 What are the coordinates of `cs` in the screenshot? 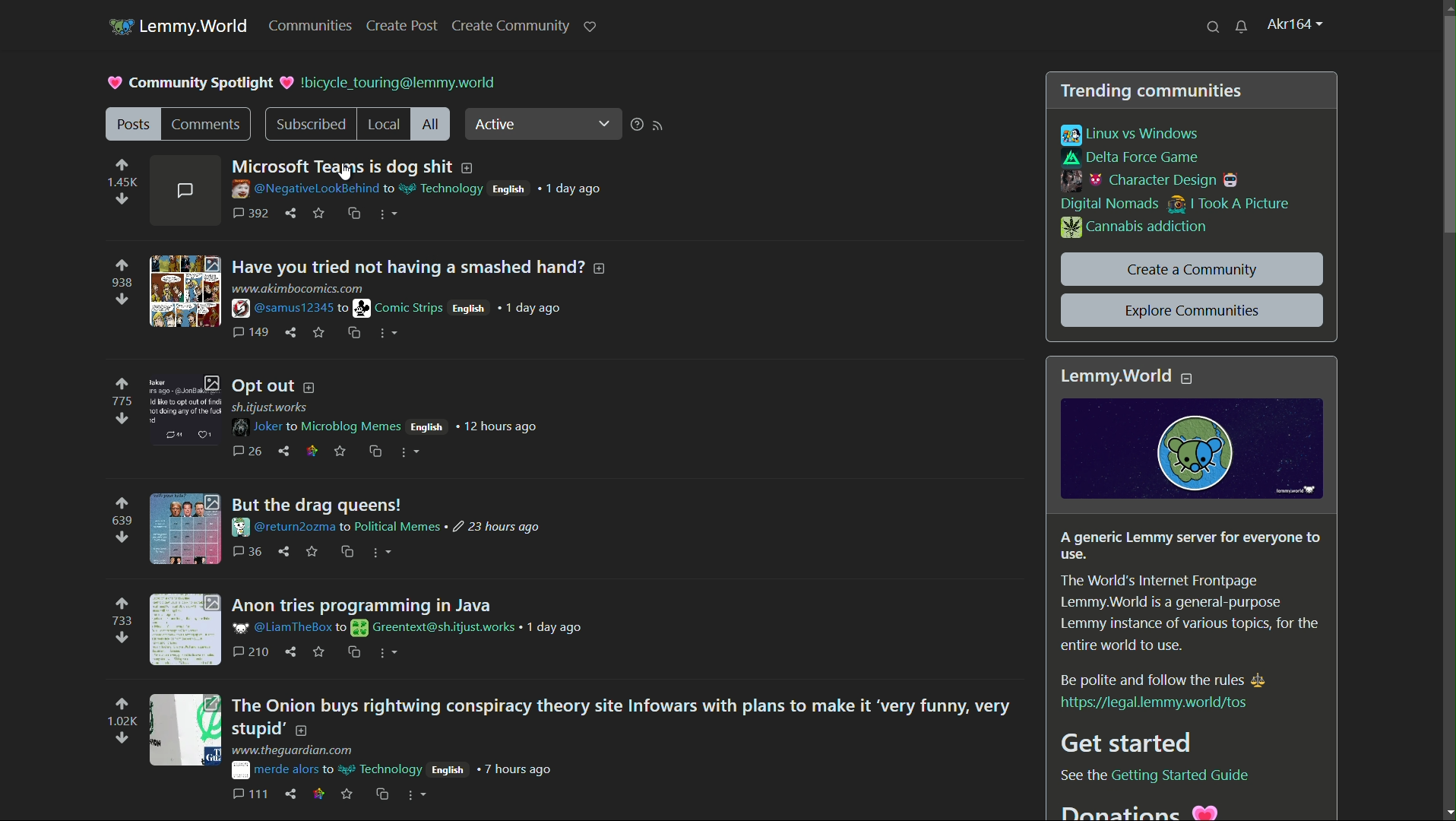 It's located at (355, 651).